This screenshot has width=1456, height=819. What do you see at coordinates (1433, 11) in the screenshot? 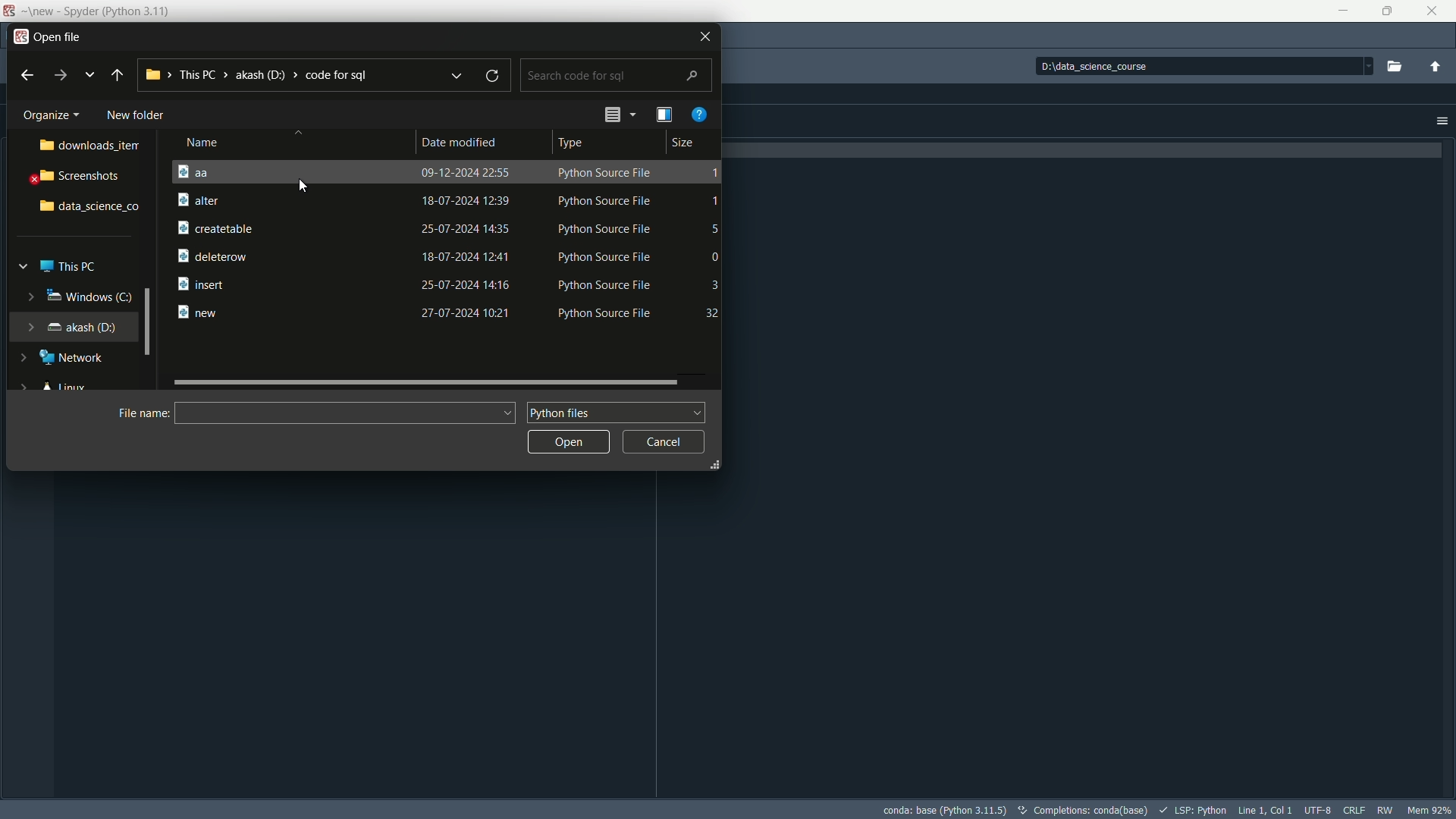
I see `close` at bounding box center [1433, 11].